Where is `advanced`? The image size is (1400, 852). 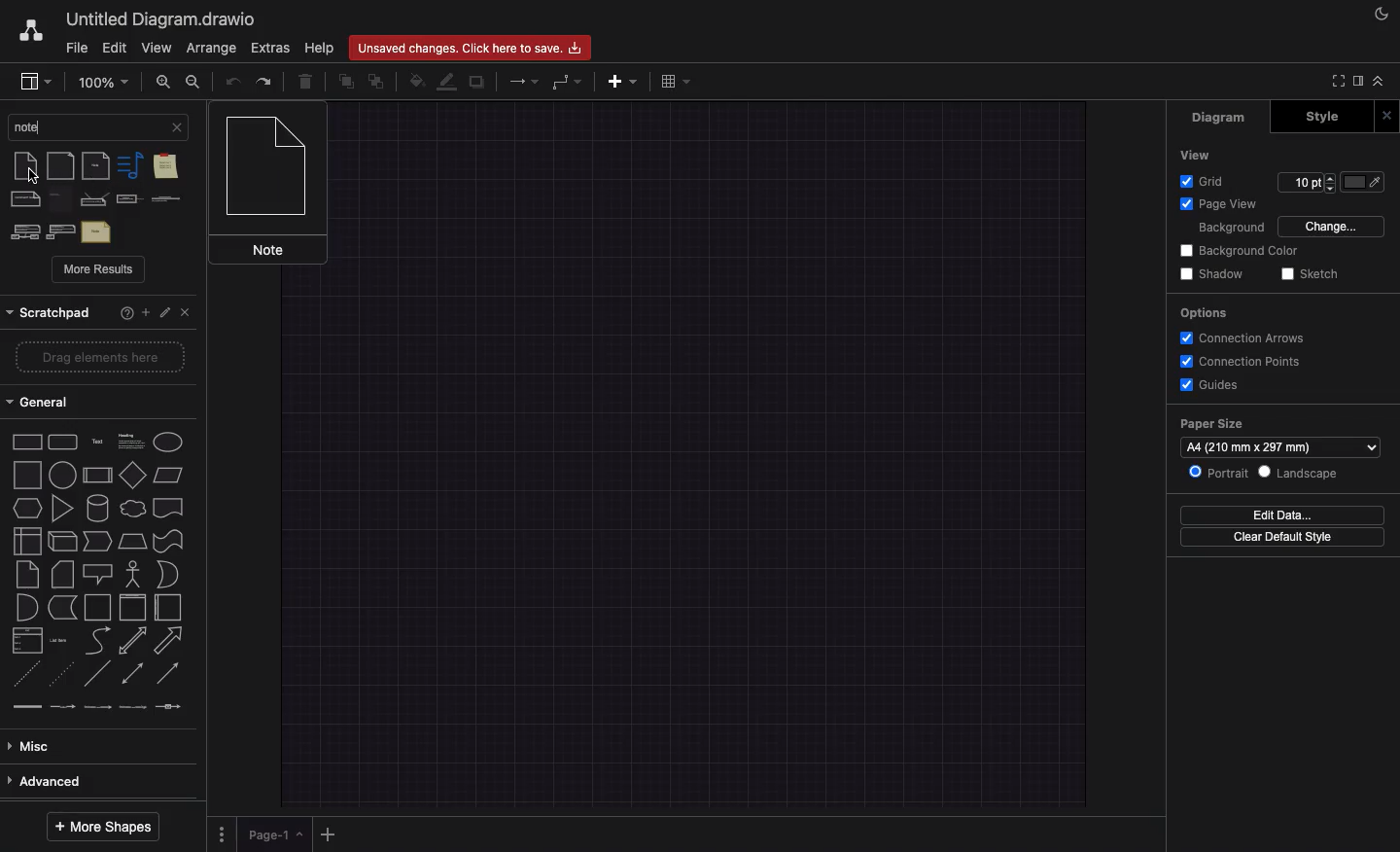 advanced is located at coordinates (90, 781).